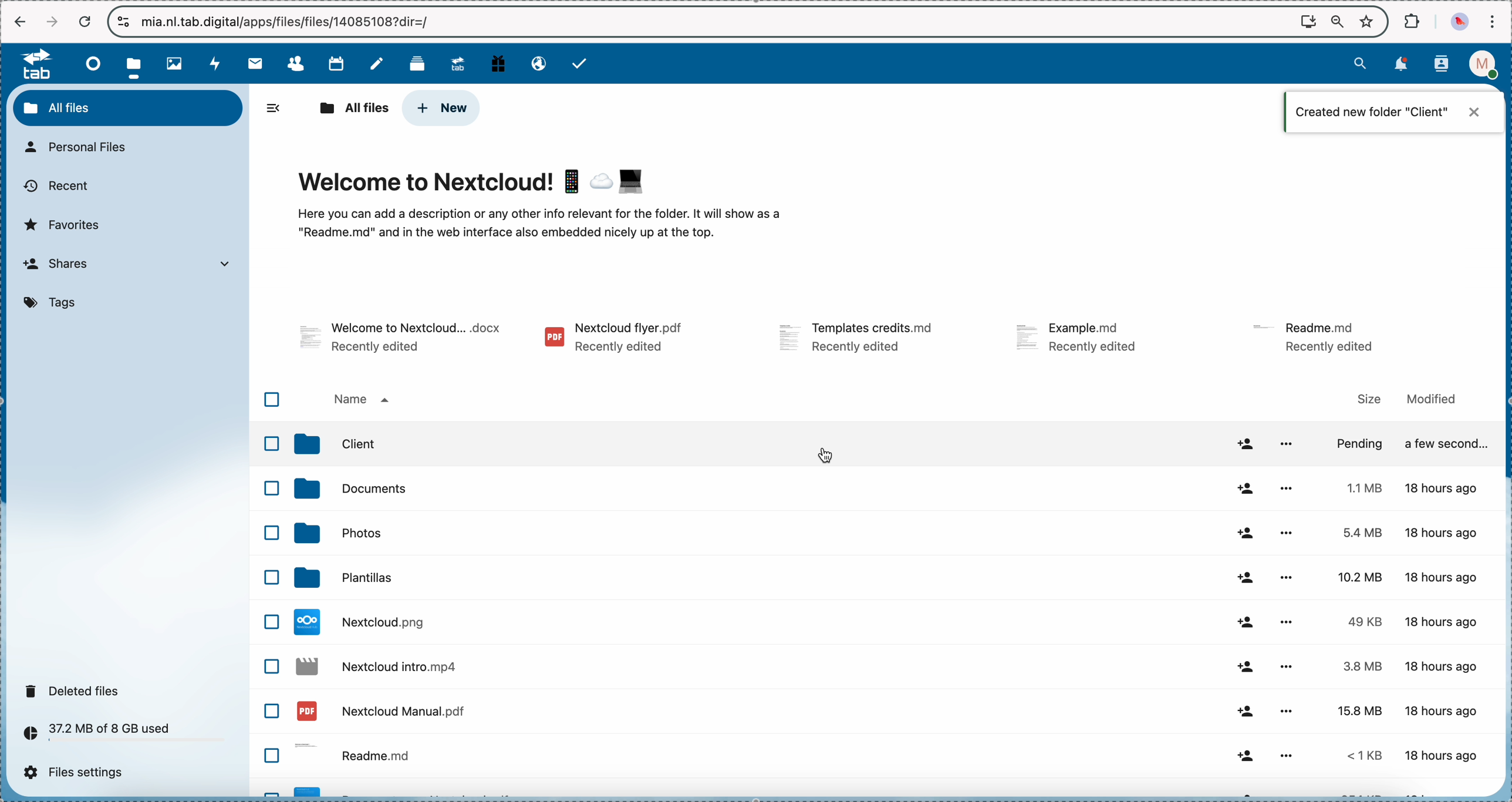 The height and width of the screenshot is (802, 1512). I want to click on favorites, so click(66, 224).